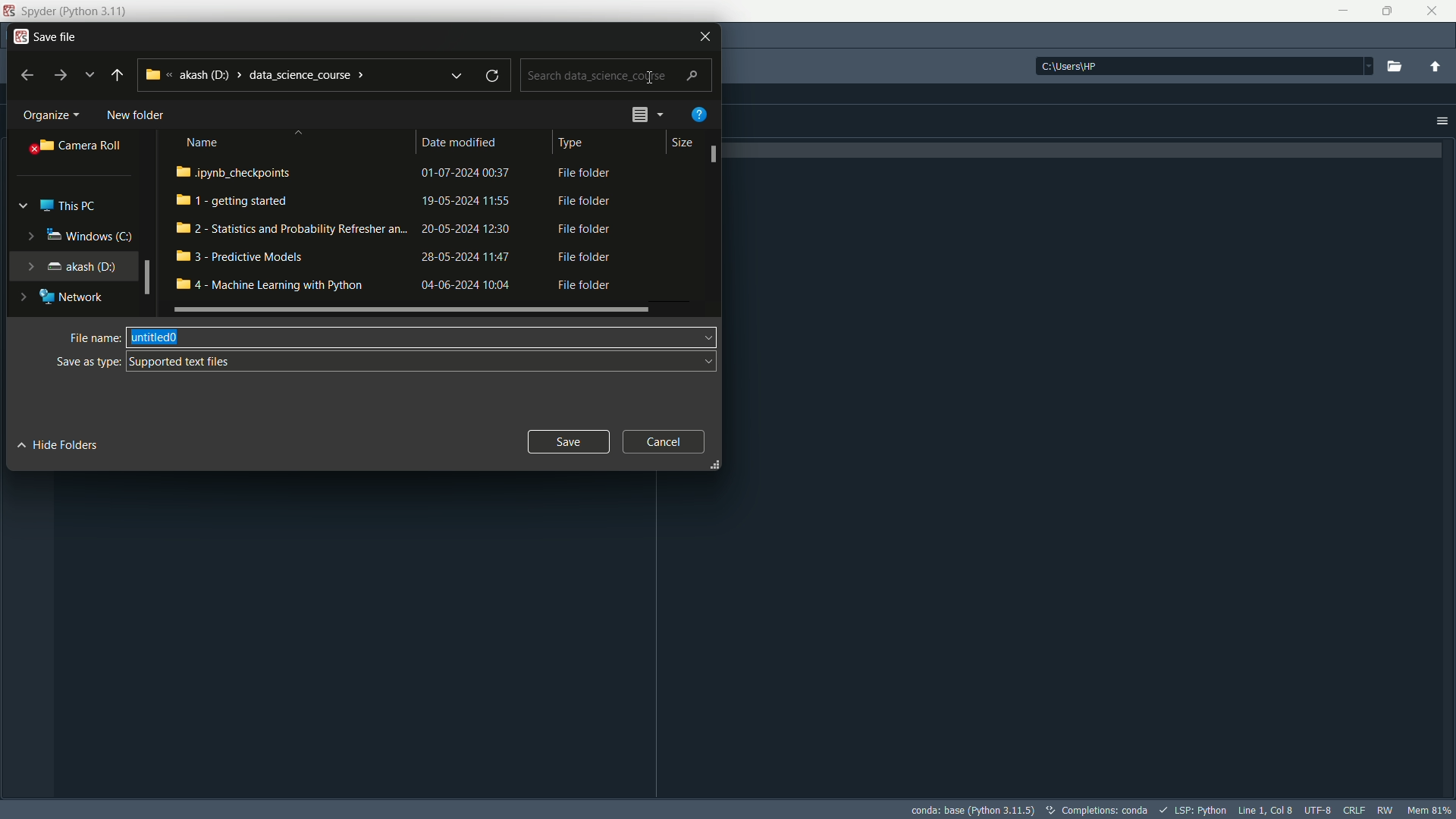 Image resolution: width=1456 pixels, height=819 pixels. Describe the element at coordinates (1384, 809) in the screenshot. I see `` at that location.